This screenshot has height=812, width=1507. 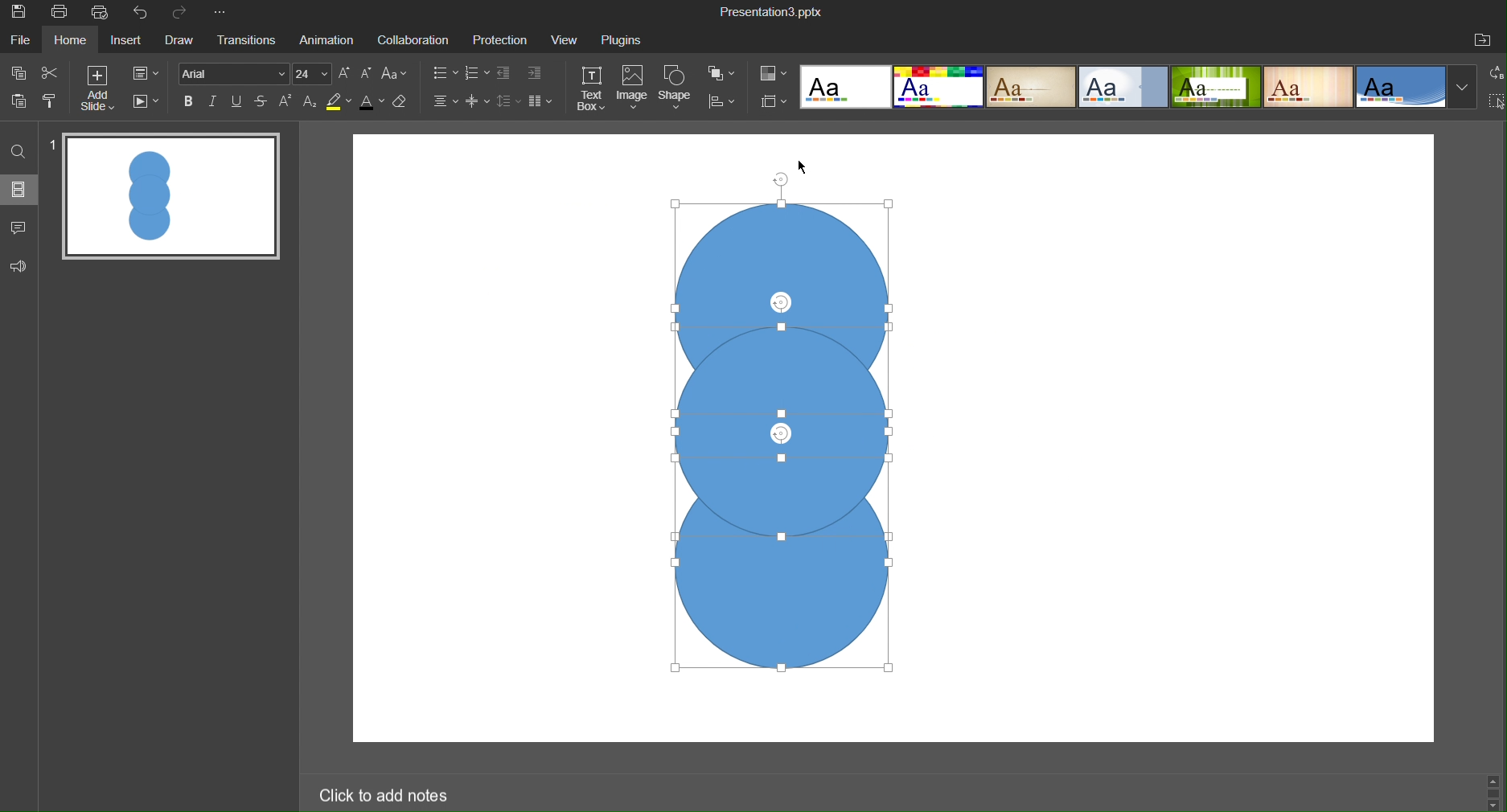 I want to click on Paste, so click(x=18, y=107).